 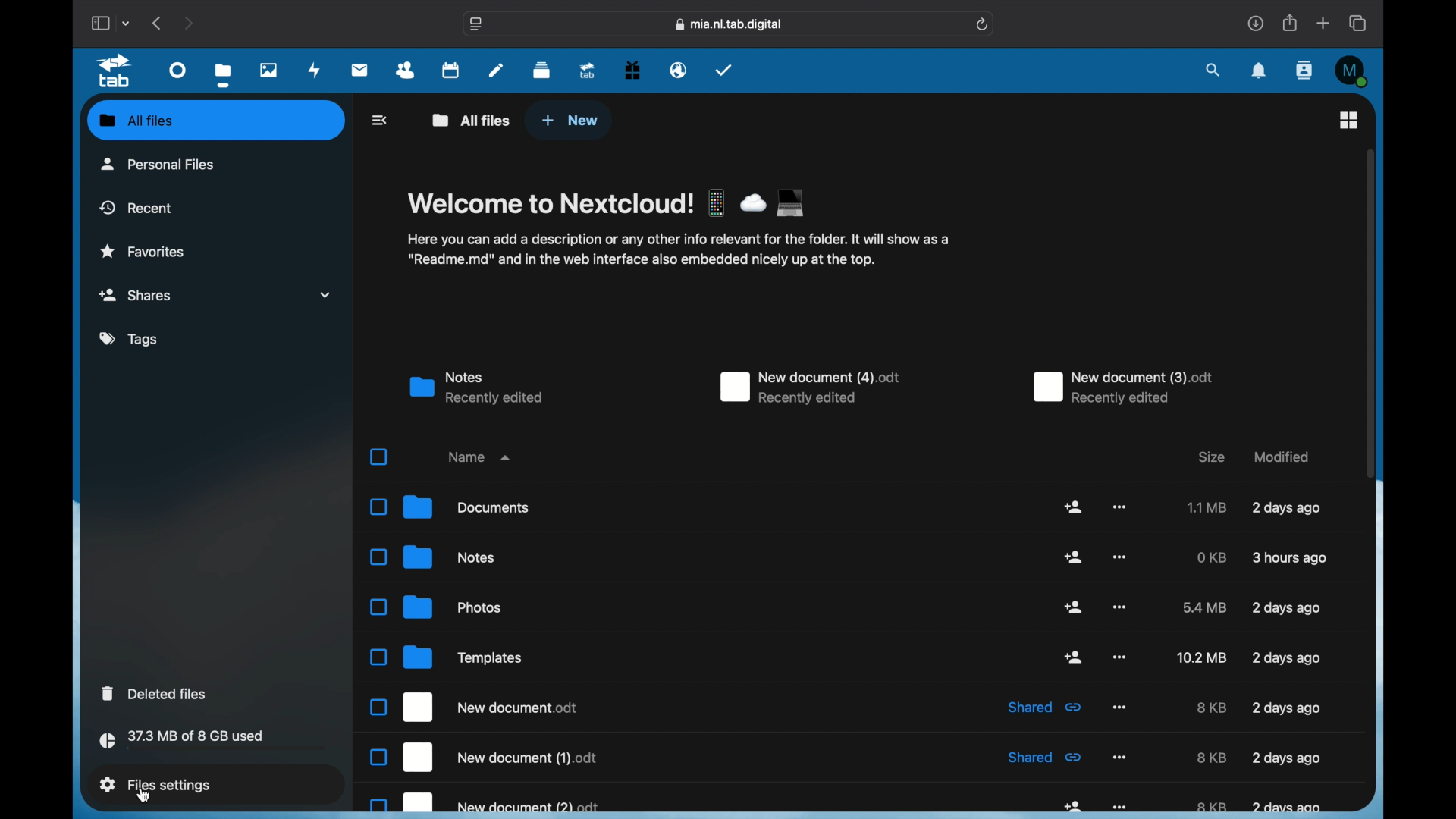 What do you see at coordinates (1046, 707) in the screenshot?
I see `shared` at bounding box center [1046, 707].